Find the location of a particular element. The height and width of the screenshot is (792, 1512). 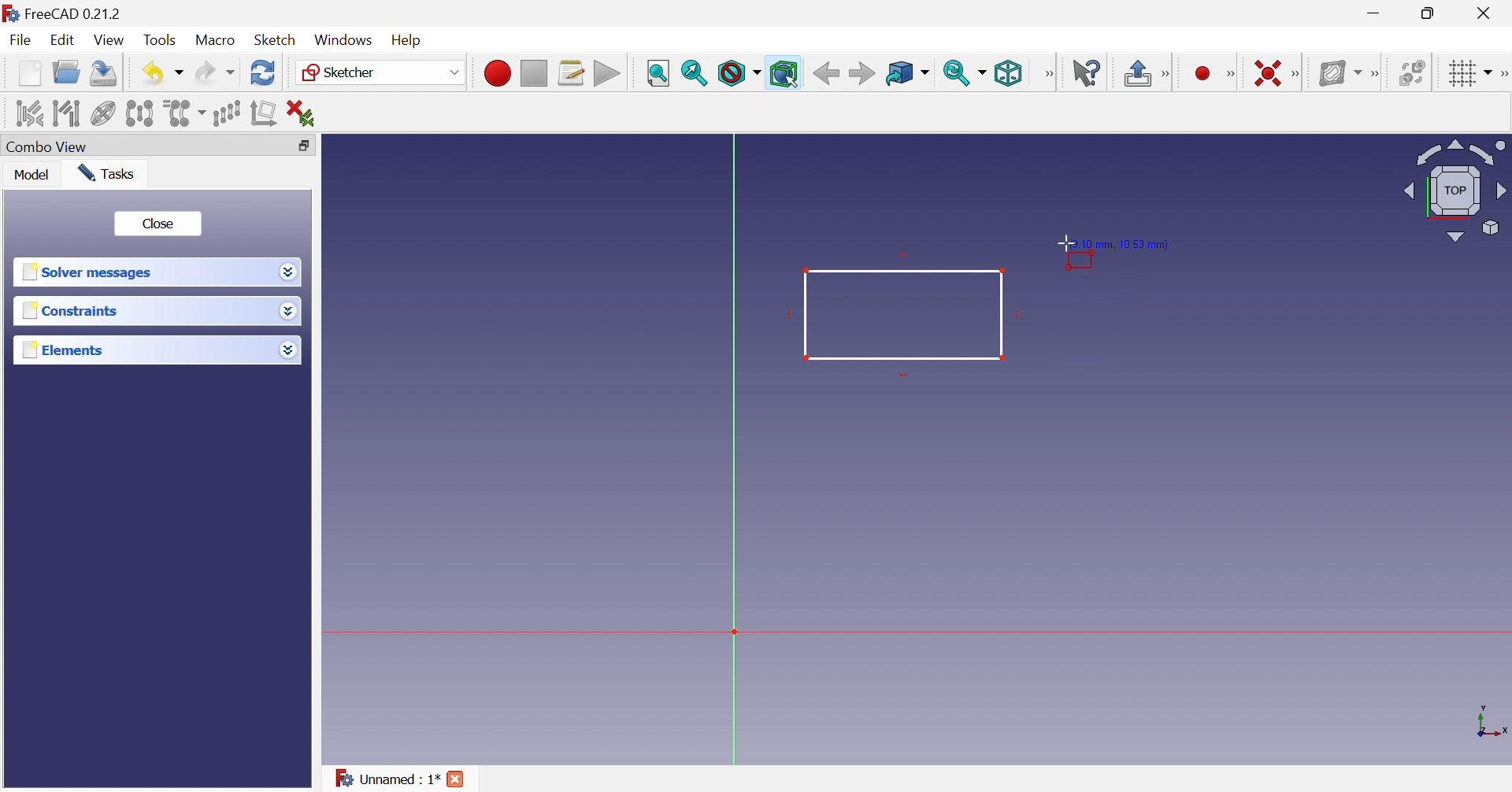

Minimize is located at coordinates (1379, 12).